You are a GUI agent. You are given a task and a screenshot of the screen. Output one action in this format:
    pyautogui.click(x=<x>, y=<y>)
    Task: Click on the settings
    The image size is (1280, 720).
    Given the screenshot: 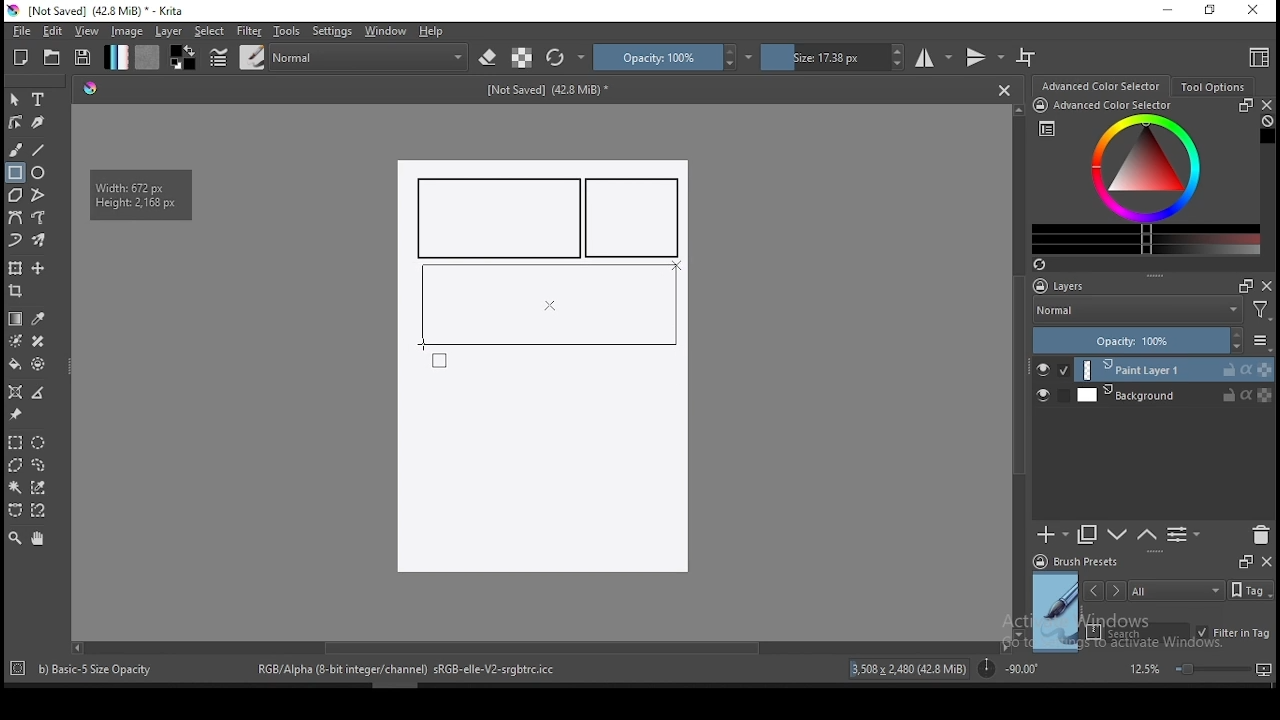 What is the action you would take?
    pyautogui.click(x=332, y=31)
    